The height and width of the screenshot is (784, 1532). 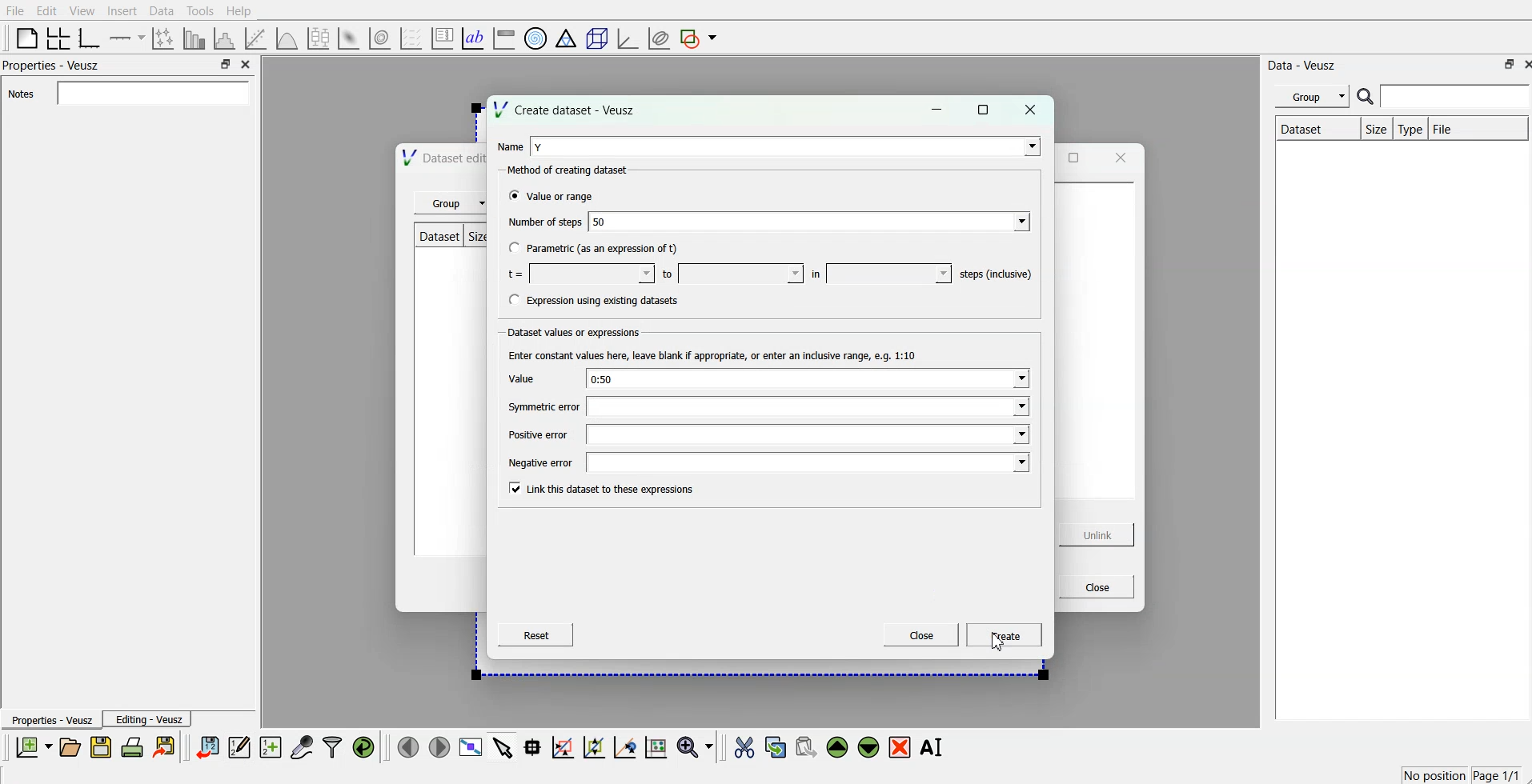 I want to click on plot a function, so click(x=288, y=36).